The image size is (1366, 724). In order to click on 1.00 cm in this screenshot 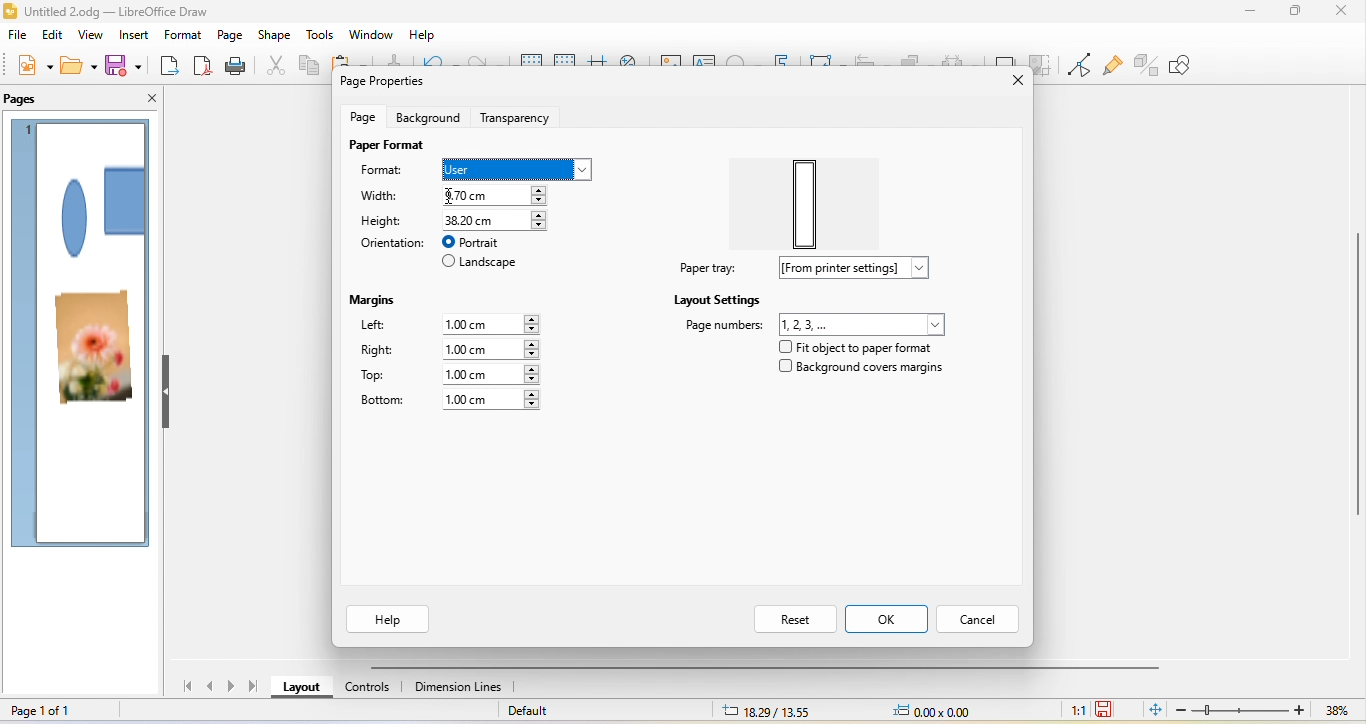, I will do `click(493, 373)`.